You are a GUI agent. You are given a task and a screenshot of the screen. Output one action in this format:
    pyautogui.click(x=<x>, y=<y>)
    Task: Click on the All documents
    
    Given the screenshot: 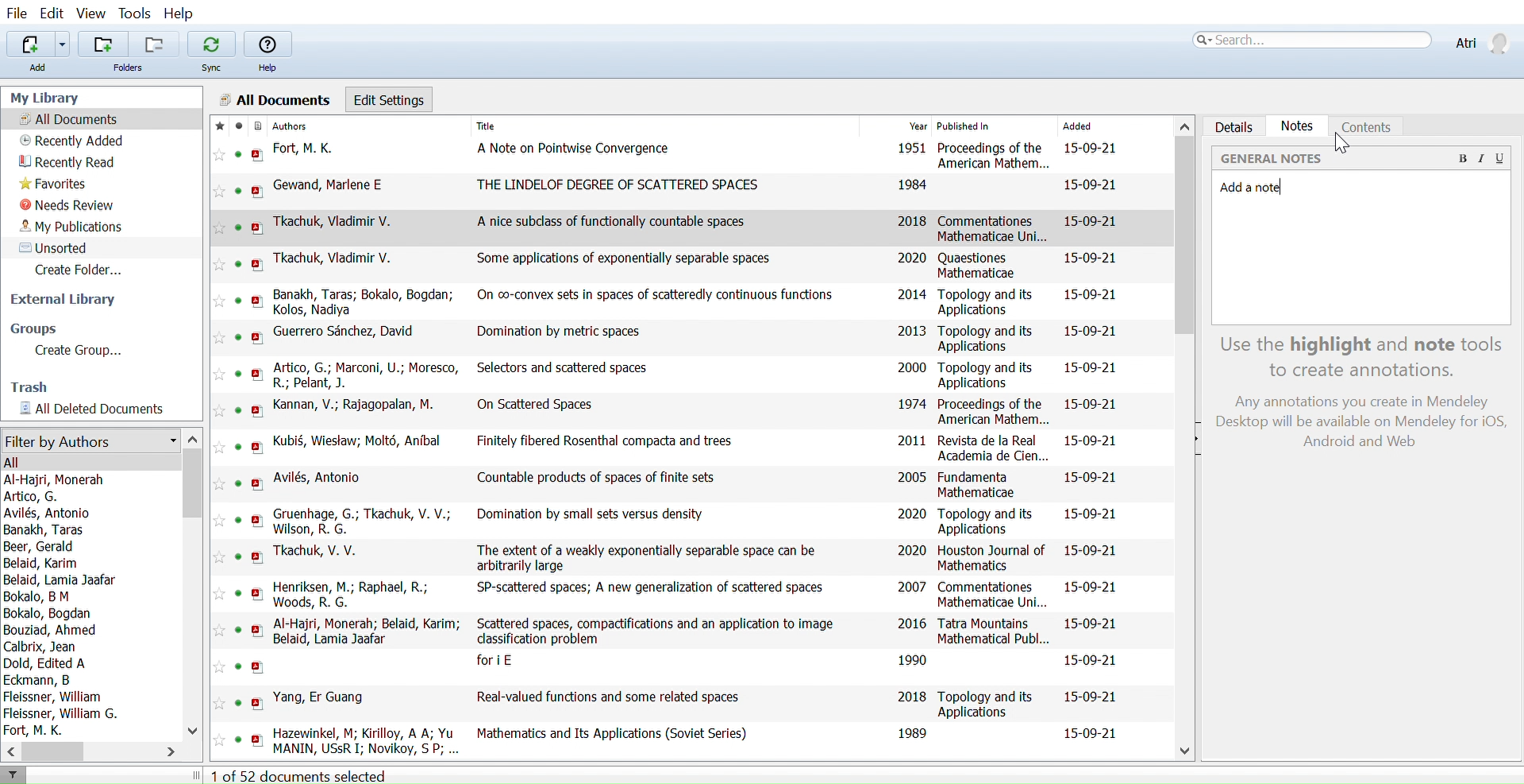 What is the action you would take?
    pyautogui.click(x=99, y=409)
    